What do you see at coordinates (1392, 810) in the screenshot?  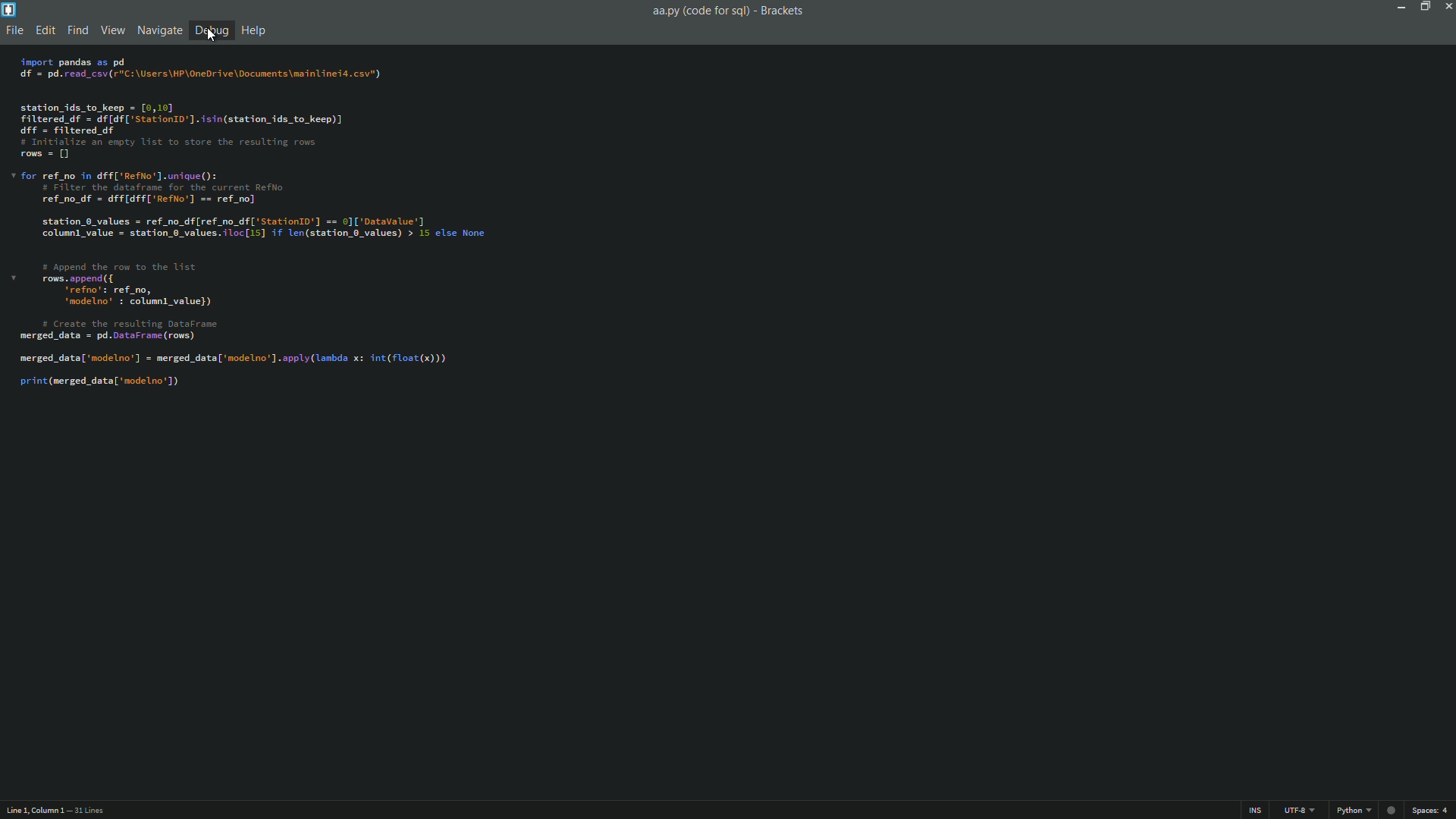 I see `record` at bounding box center [1392, 810].